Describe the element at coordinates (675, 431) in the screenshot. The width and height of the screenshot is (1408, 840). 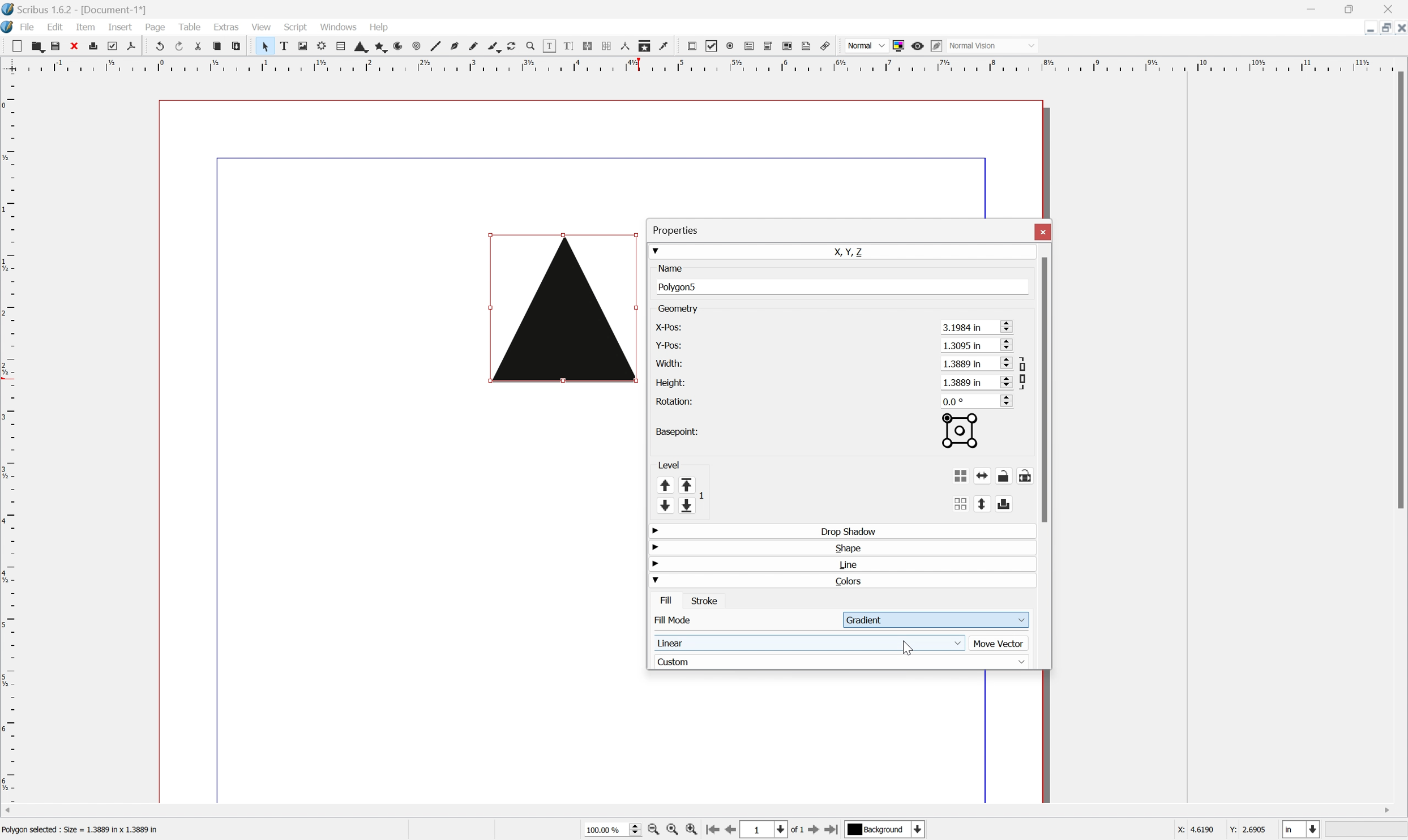
I see `Basepoint:` at that location.